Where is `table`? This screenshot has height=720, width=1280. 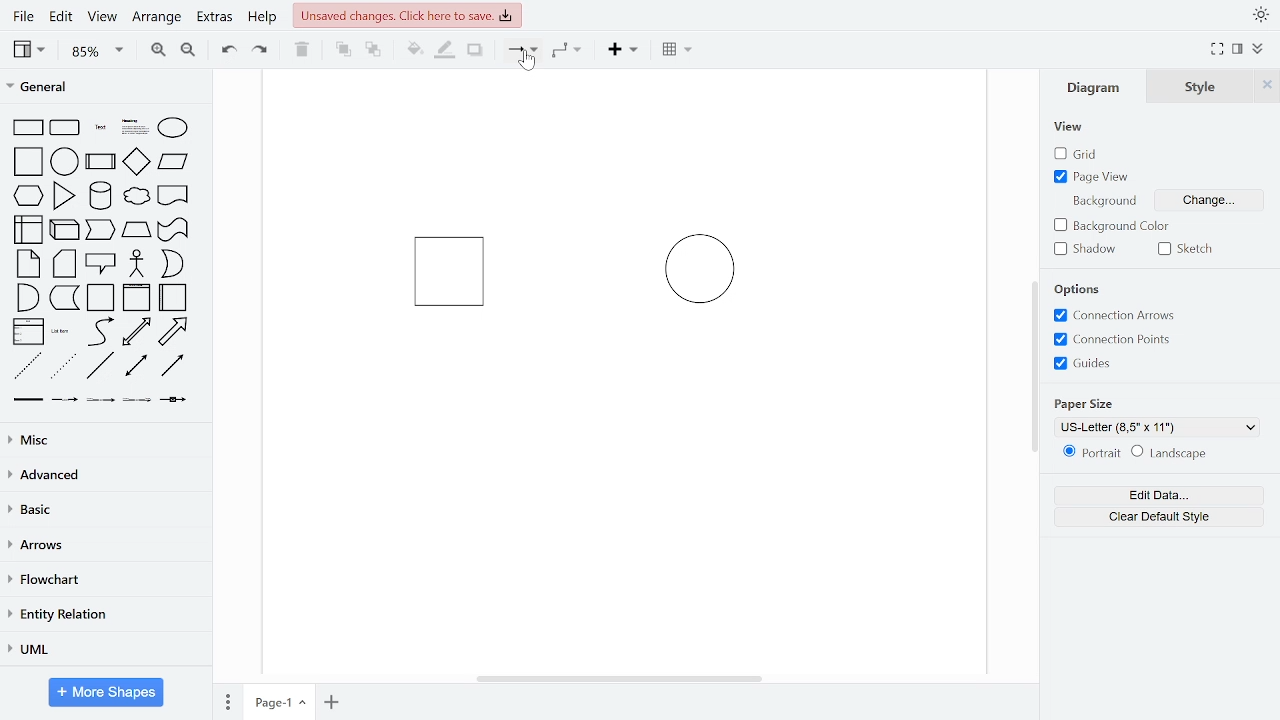
table is located at coordinates (679, 51).